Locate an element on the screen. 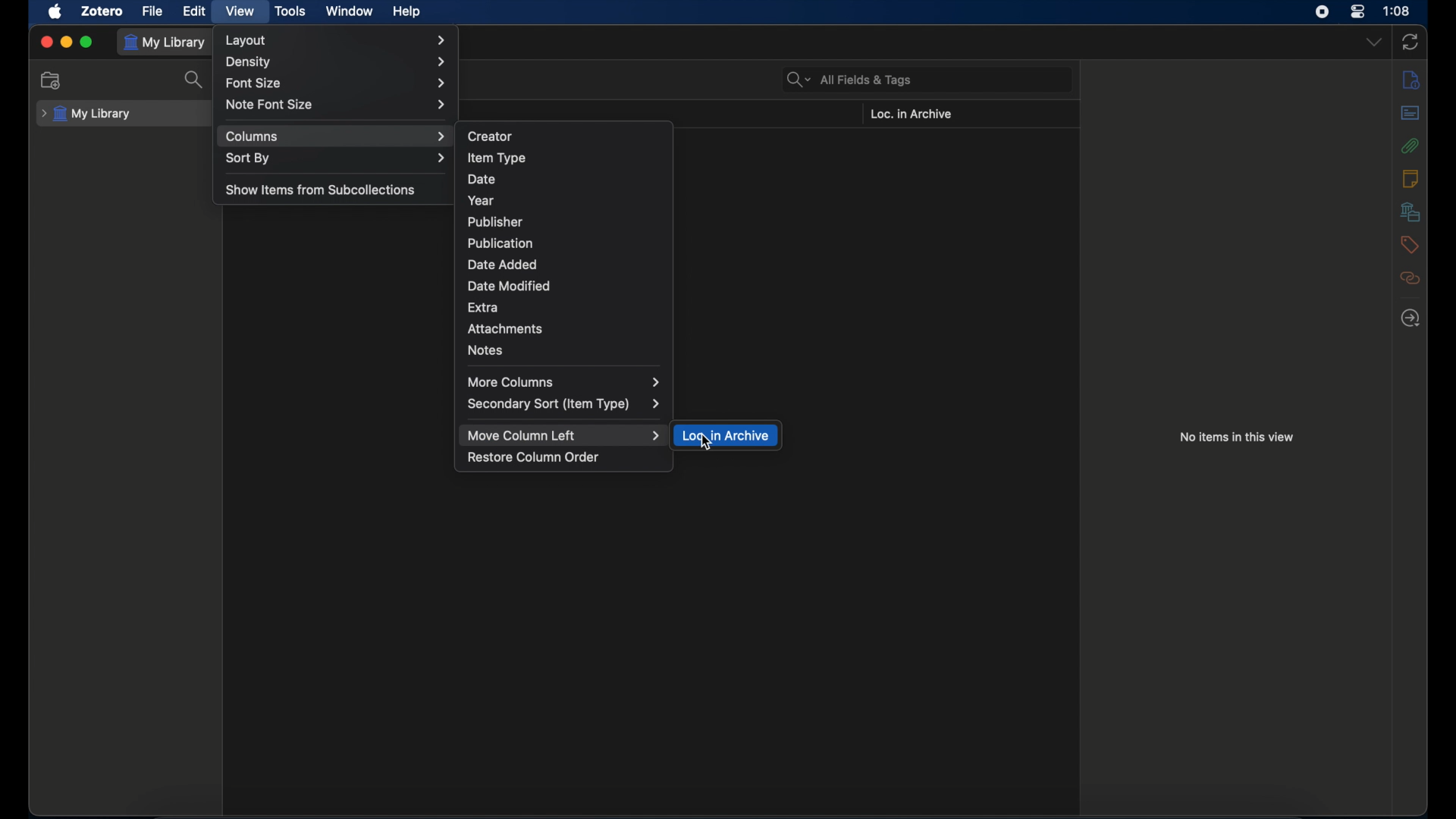  window is located at coordinates (351, 11).